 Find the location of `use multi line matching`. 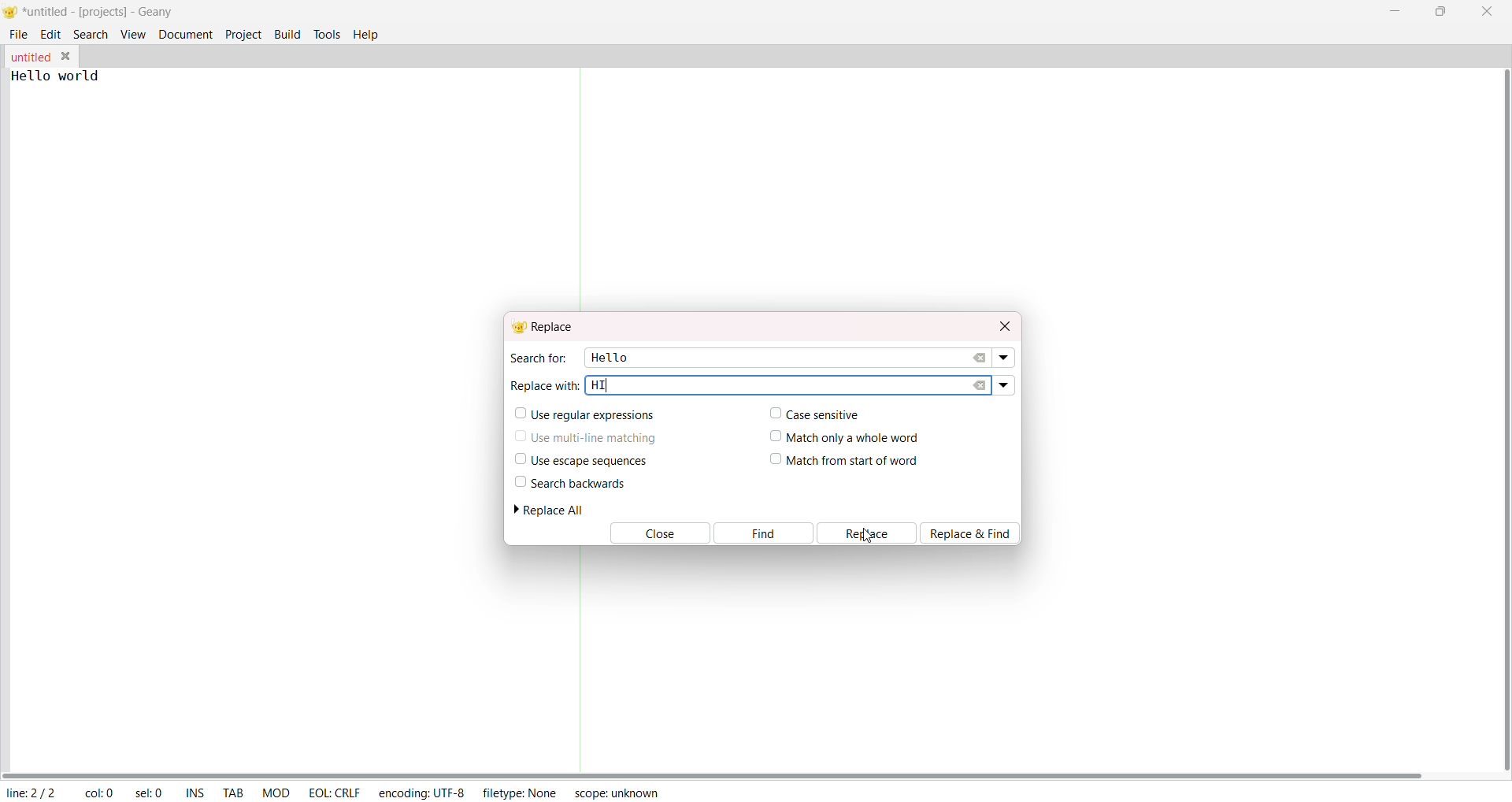

use multi line matching is located at coordinates (587, 435).